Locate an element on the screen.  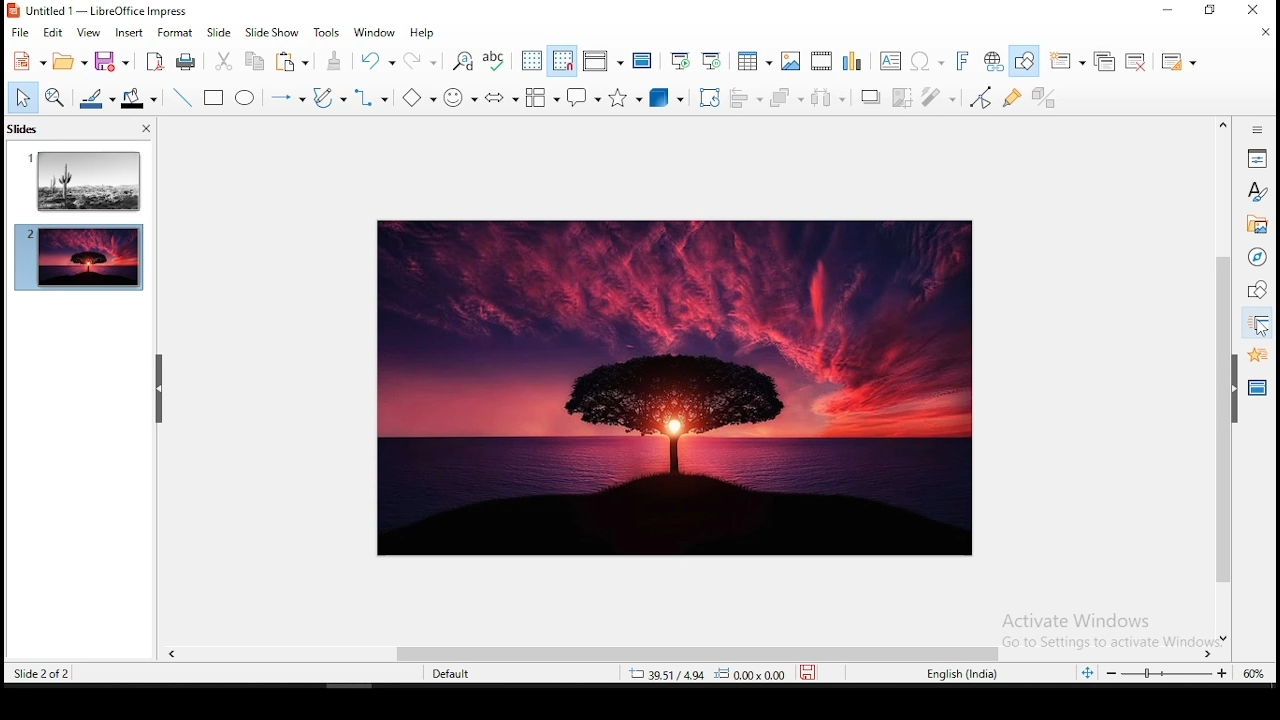
help is located at coordinates (423, 34).